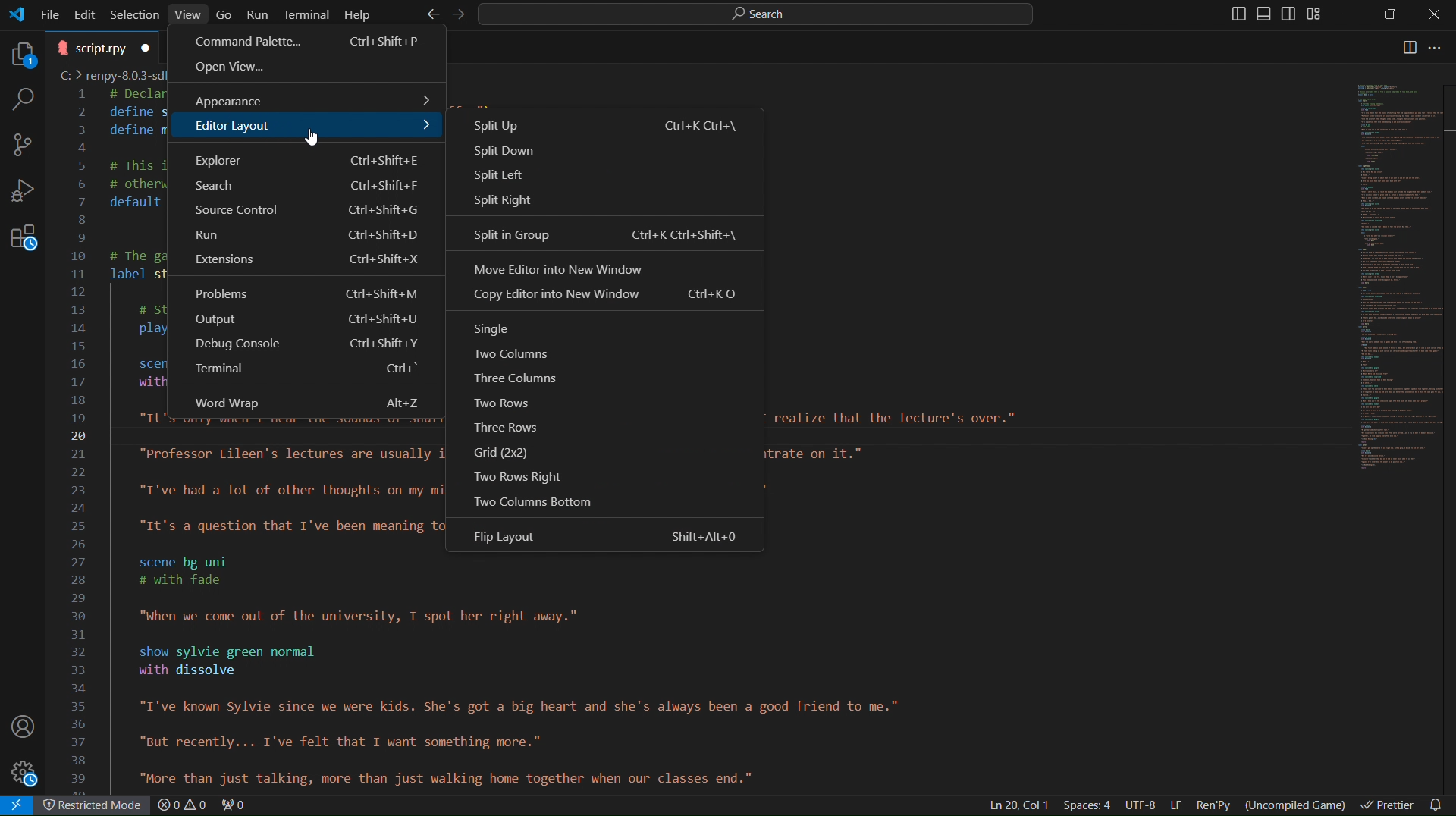  Describe the element at coordinates (534, 499) in the screenshot. I see `Two Column Bottom` at that location.